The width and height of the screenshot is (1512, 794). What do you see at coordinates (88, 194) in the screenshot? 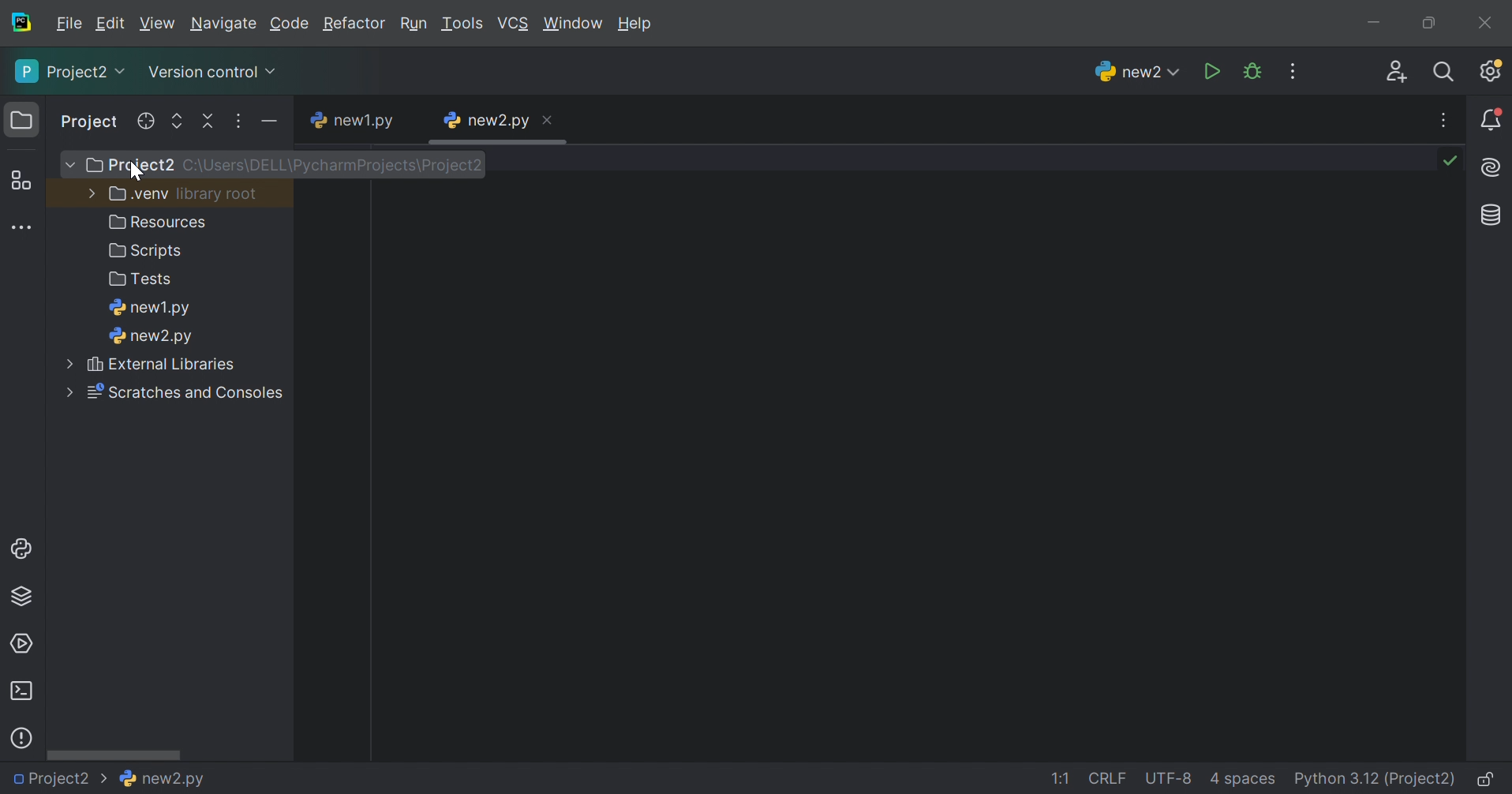
I see `More` at bounding box center [88, 194].